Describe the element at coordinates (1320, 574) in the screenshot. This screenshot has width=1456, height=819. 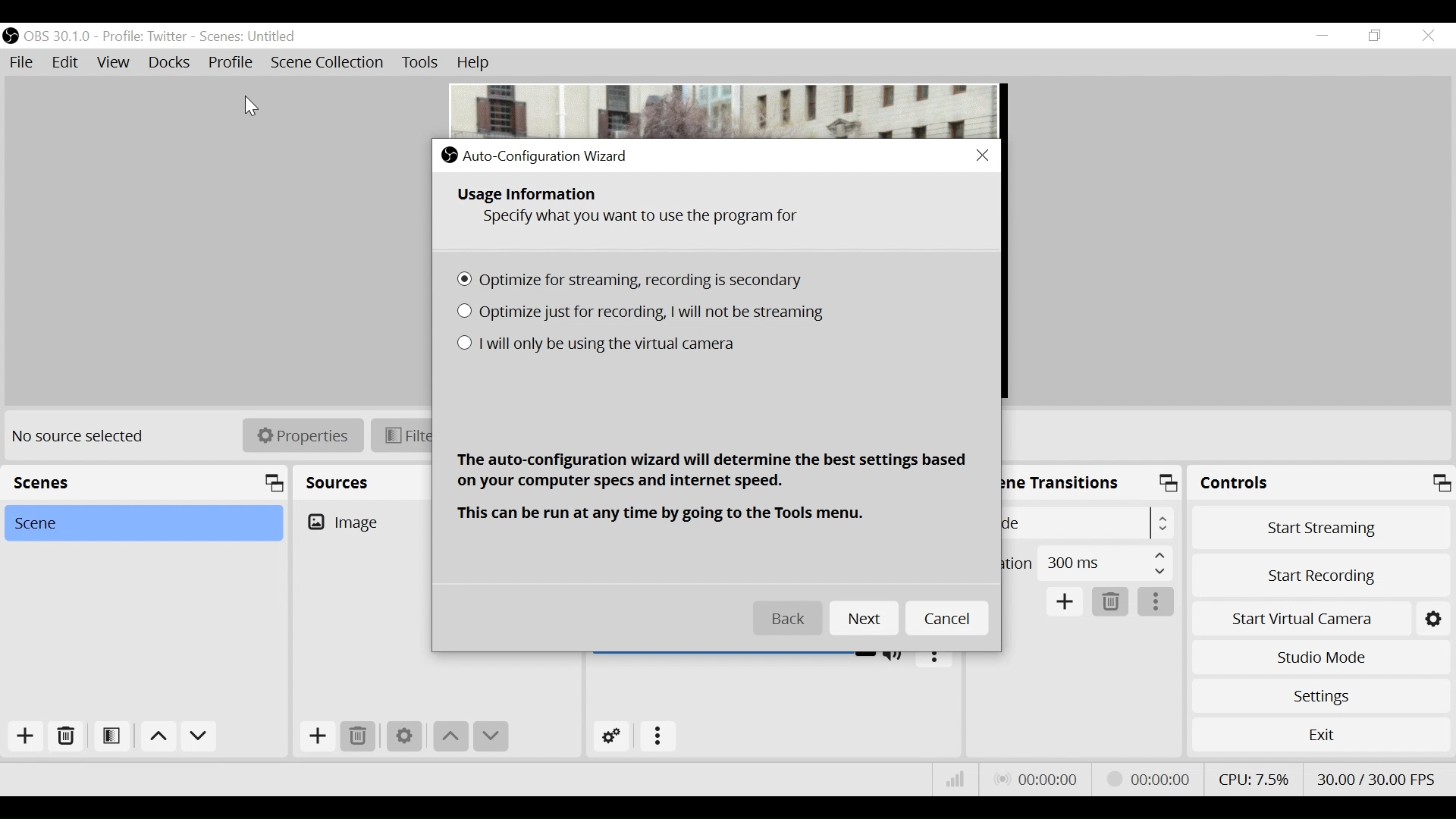
I see `Start Recording` at that location.